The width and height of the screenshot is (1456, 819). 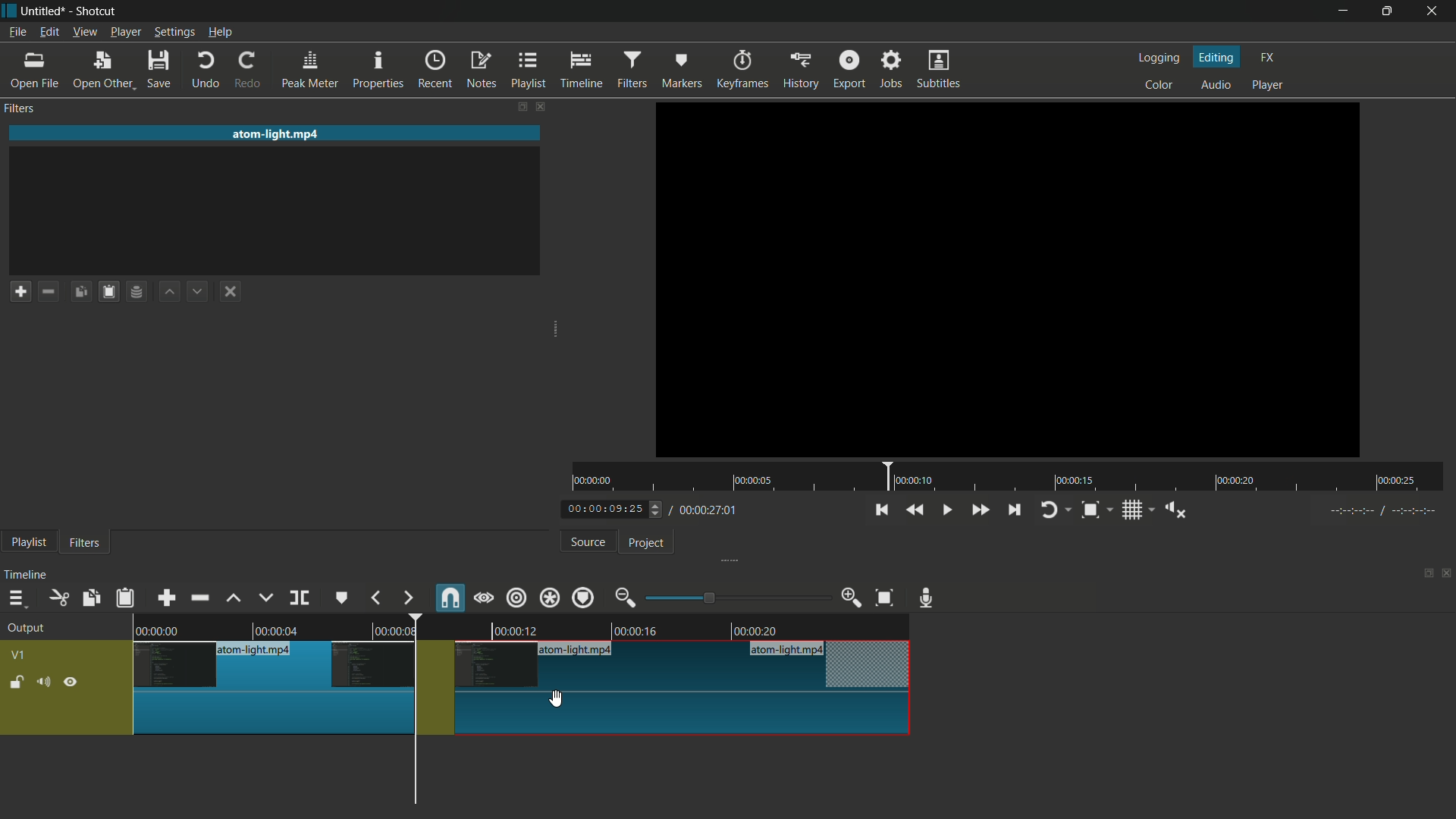 I want to click on next marker, so click(x=407, y=598).